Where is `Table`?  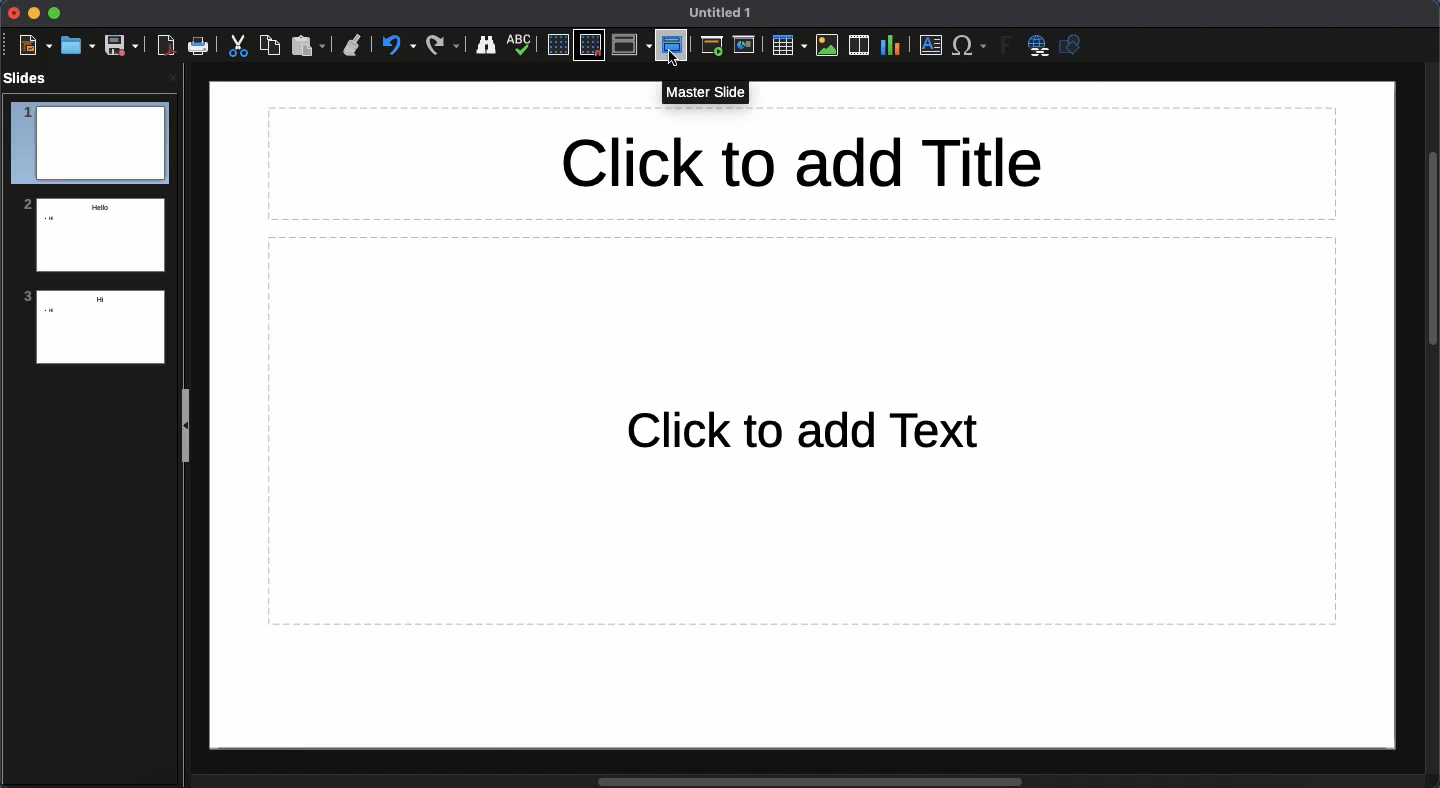 Table is located at coordinates (789, 46).